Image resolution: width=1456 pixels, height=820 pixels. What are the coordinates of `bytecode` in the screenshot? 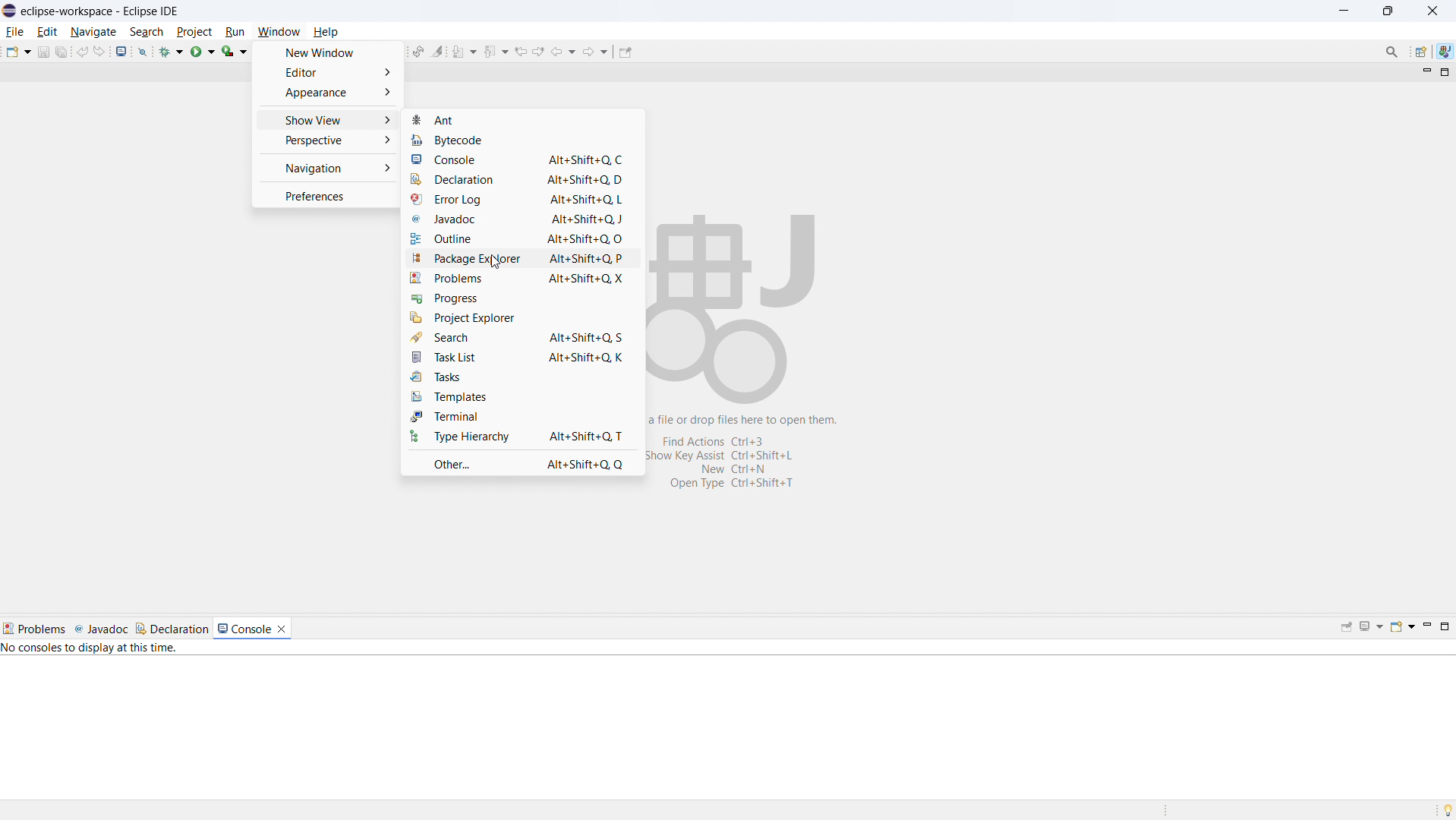 It's located at (492, 138).